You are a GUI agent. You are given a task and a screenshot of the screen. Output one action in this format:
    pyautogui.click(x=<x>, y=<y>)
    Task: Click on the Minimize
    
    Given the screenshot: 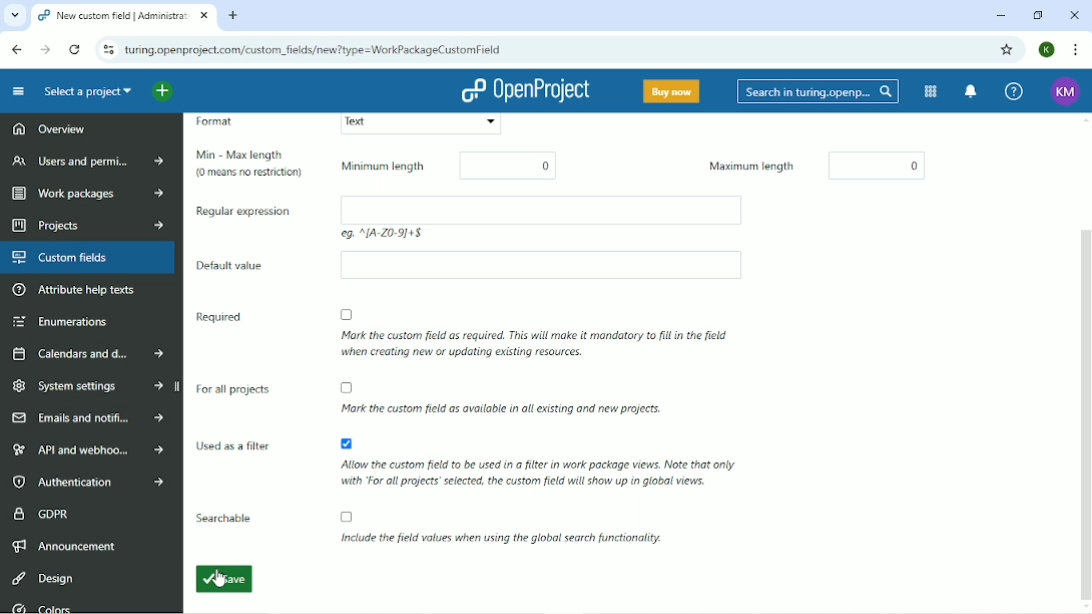 What is the action you would take?
    pyautogui.click(x=1001, y=16)
    